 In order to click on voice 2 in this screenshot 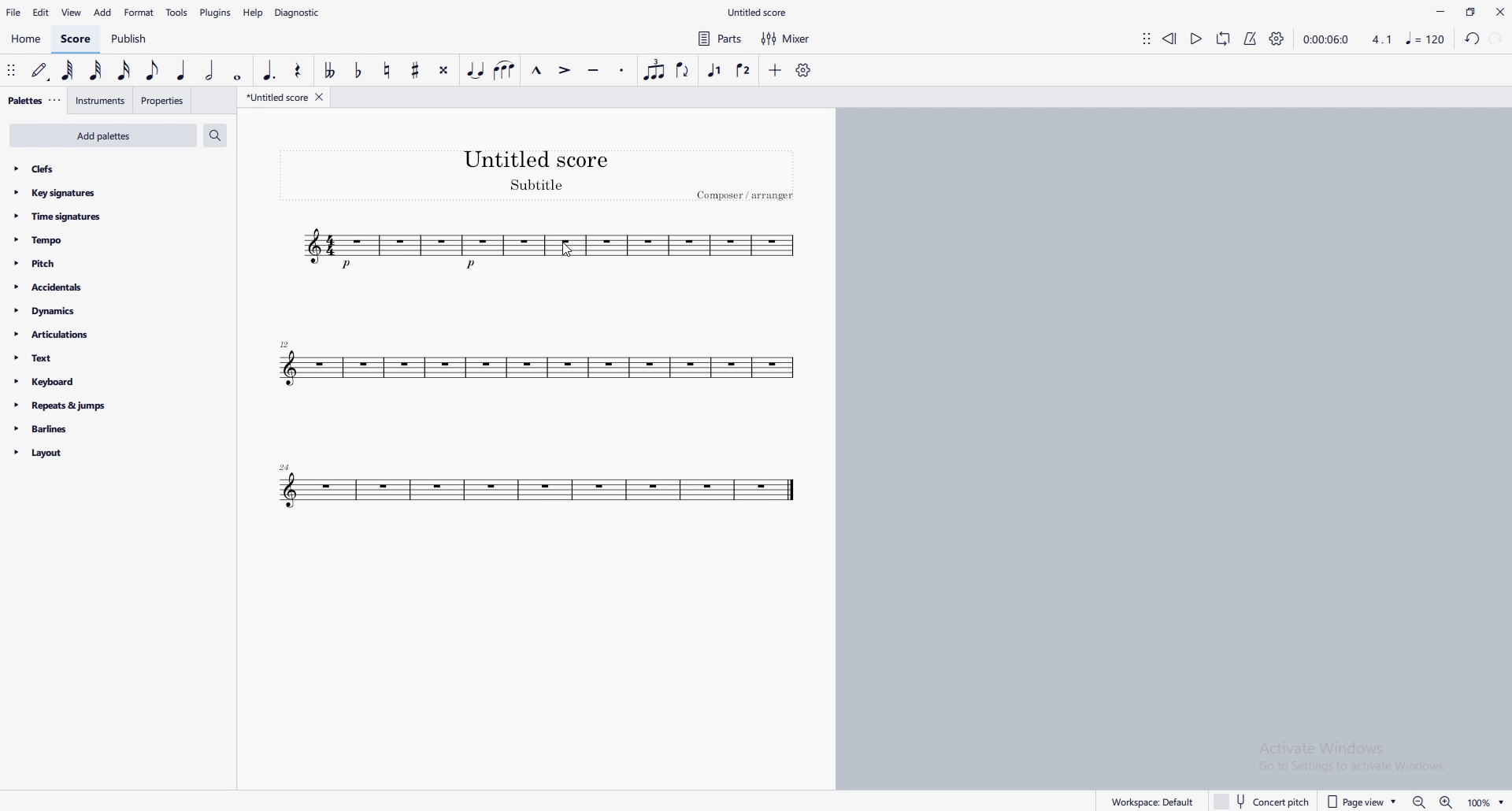, I will do `click(742, 71)`.